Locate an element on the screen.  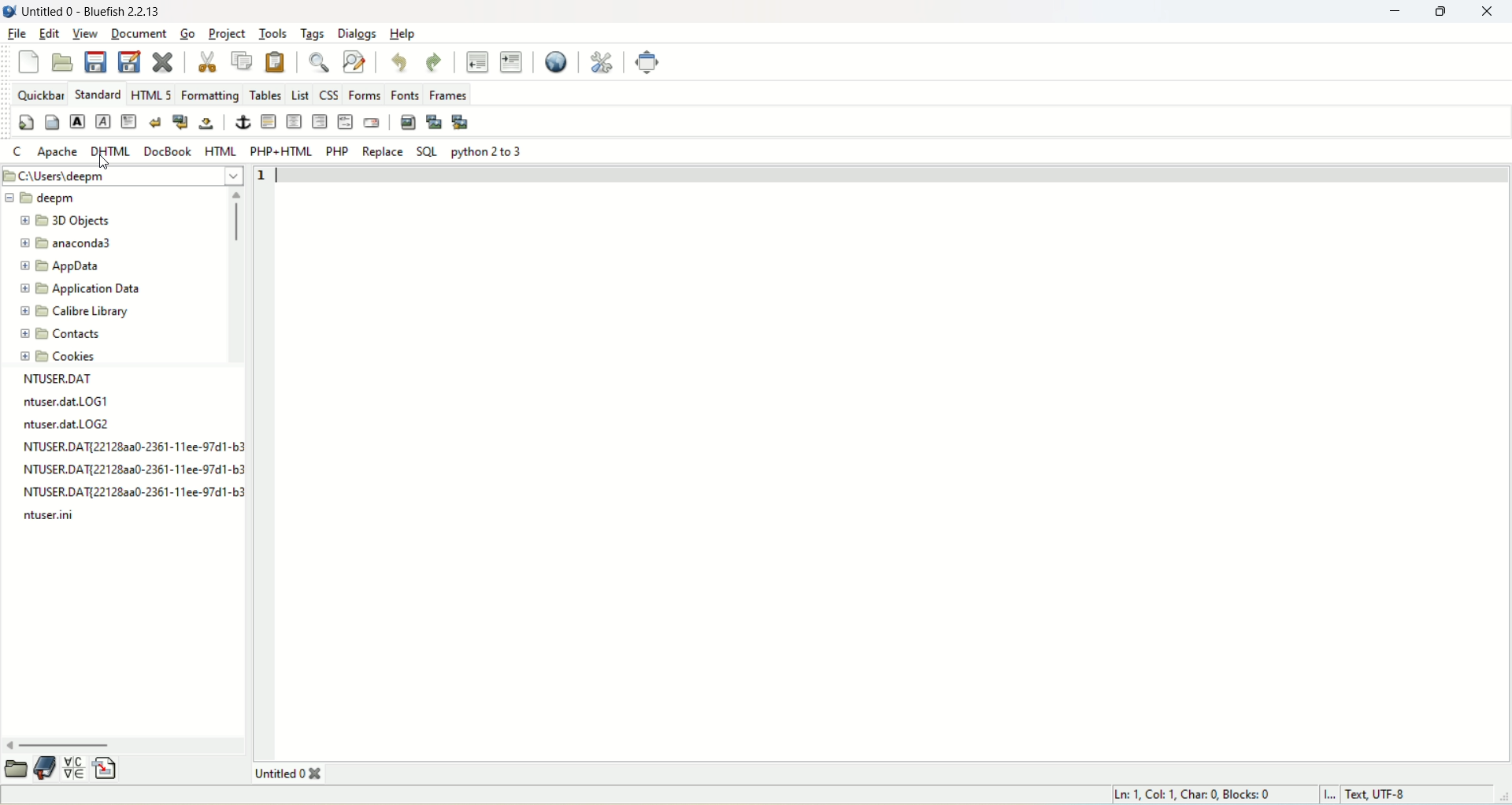
title is located at coordinates (91, 13).